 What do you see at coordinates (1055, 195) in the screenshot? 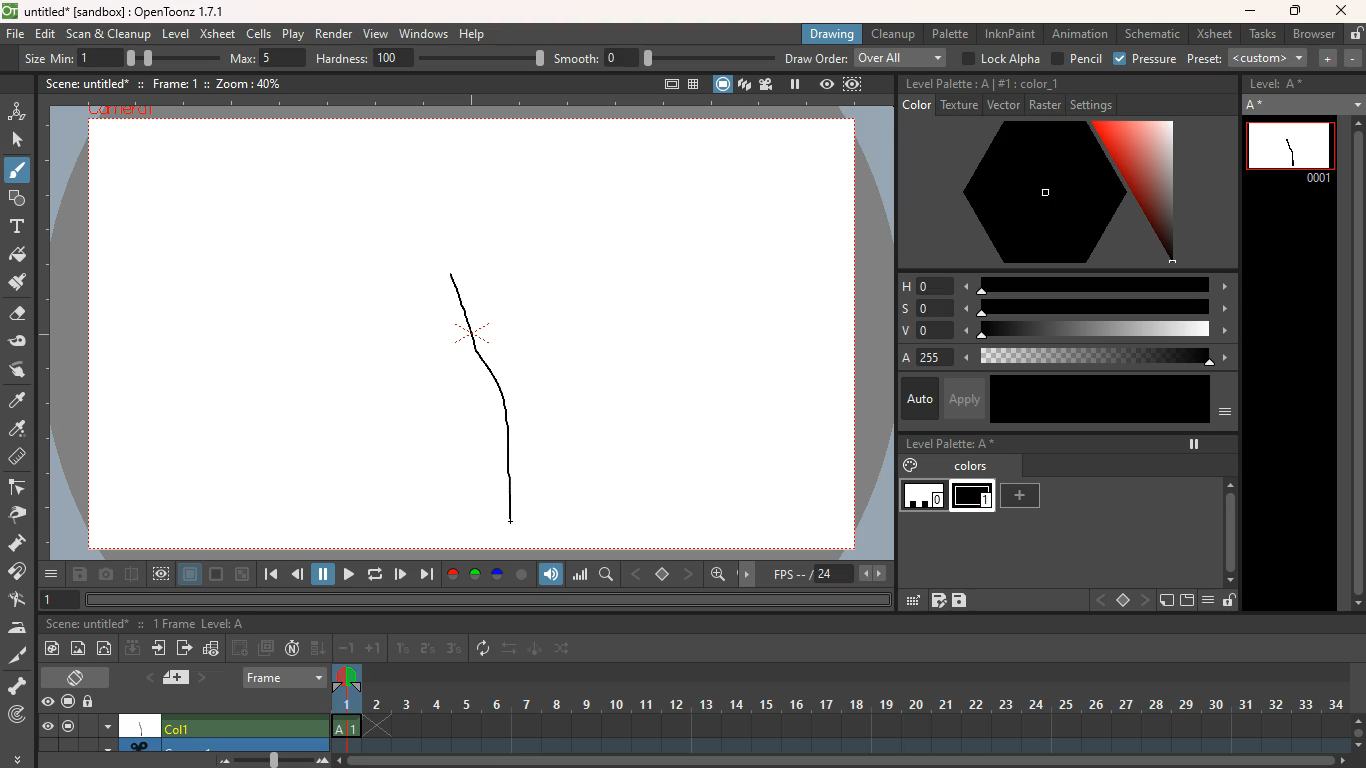
I see `color` at bounding box center [1055, 195].